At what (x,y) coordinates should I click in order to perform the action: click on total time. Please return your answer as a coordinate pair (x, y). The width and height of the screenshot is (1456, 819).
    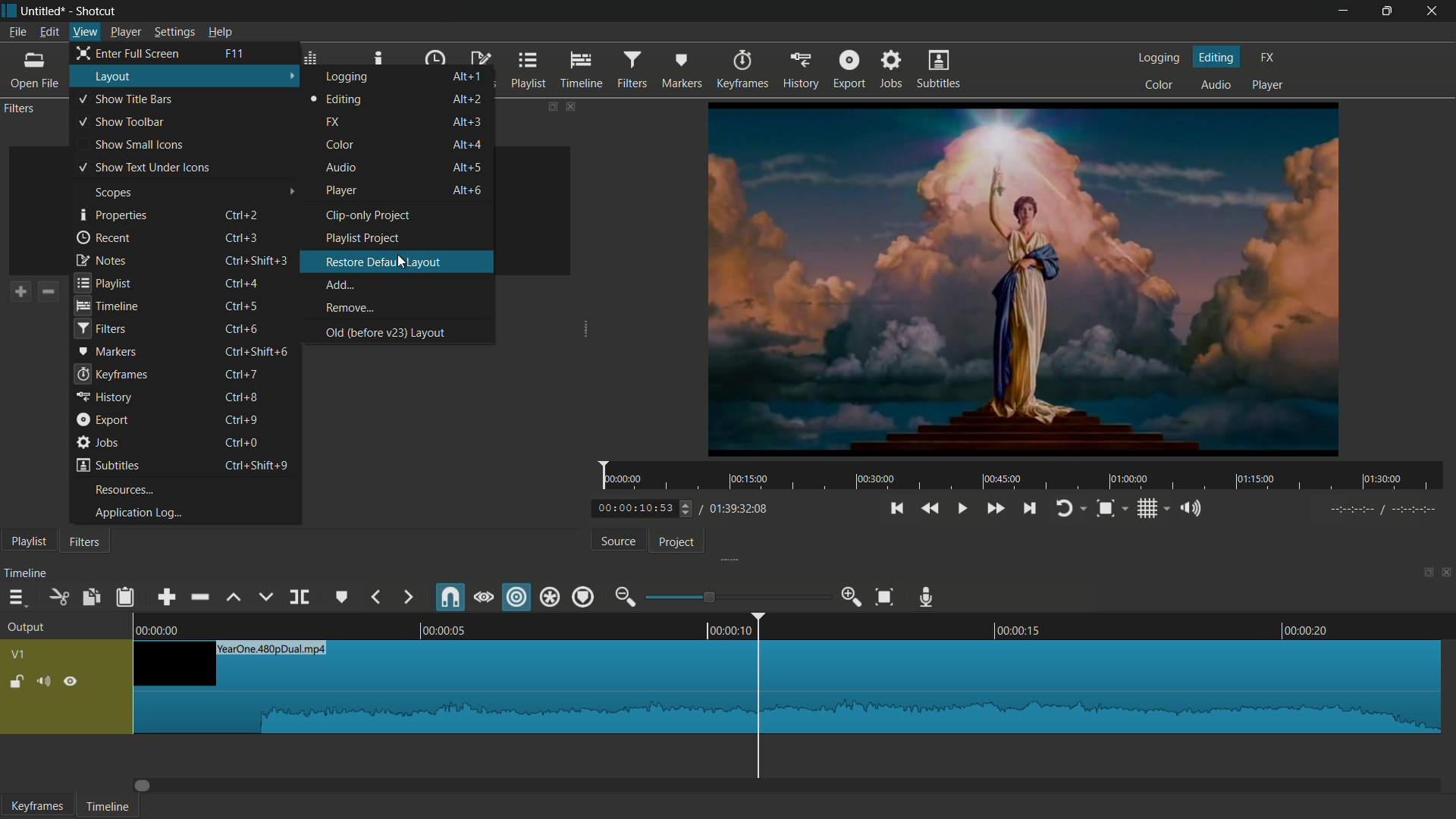
    Looking at the image, I should click on (738, 510).